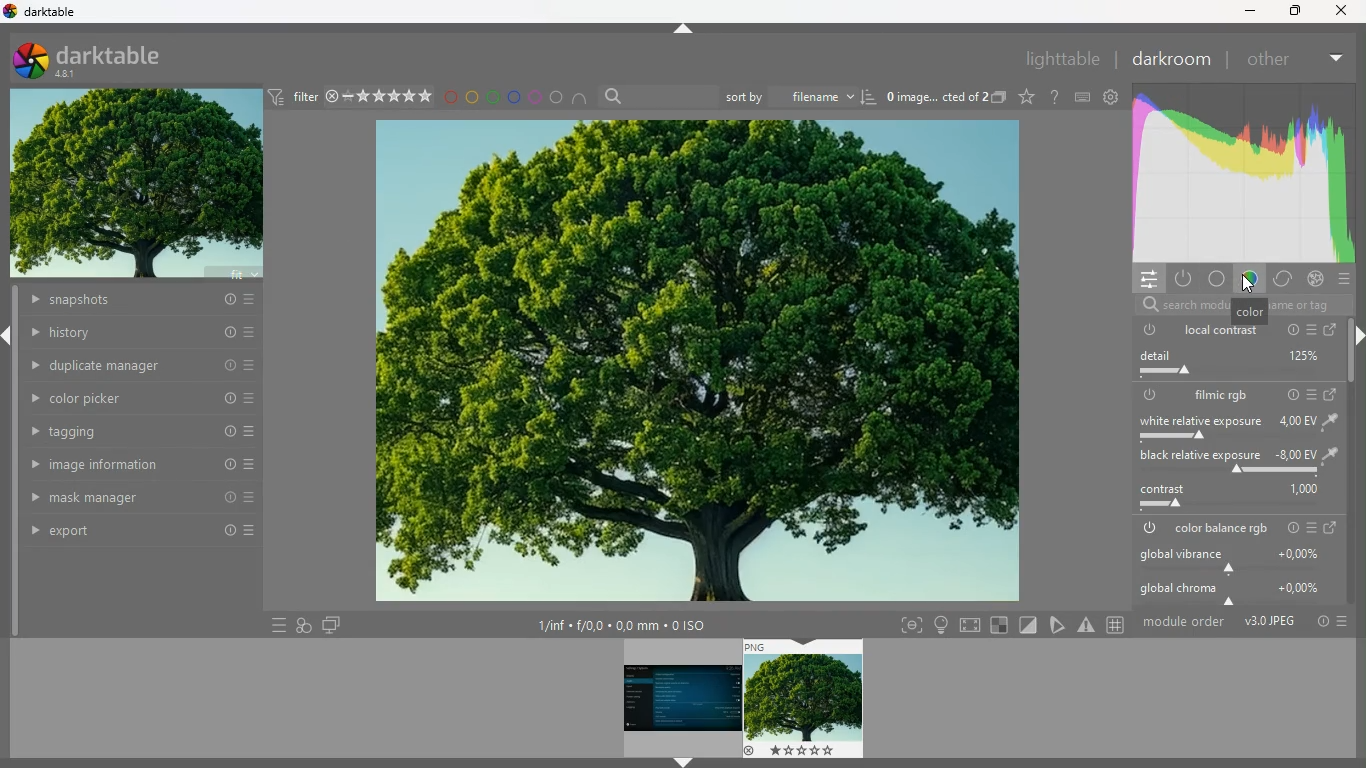 Image resolution: width=1366 pixels, height=768 pixels. What do you see at coordinates (686, 29) in the screenshot?
I see `arrow` at bounding box center [686, 29].